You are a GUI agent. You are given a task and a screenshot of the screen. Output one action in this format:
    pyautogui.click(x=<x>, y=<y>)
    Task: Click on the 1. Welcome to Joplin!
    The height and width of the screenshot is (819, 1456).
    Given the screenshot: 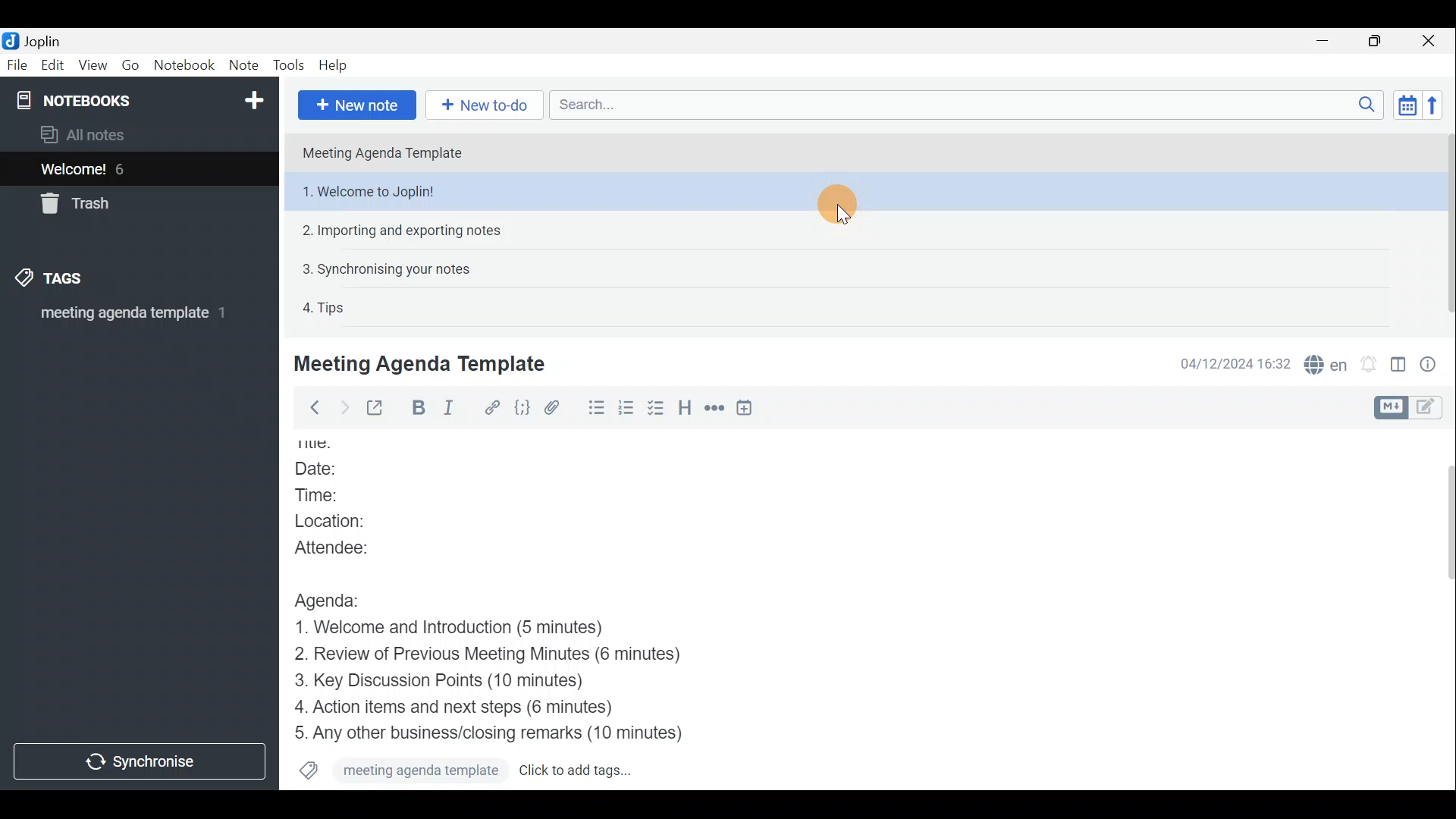 What is the action you would take?
    pyautogui.click(x=866, y=192)
    